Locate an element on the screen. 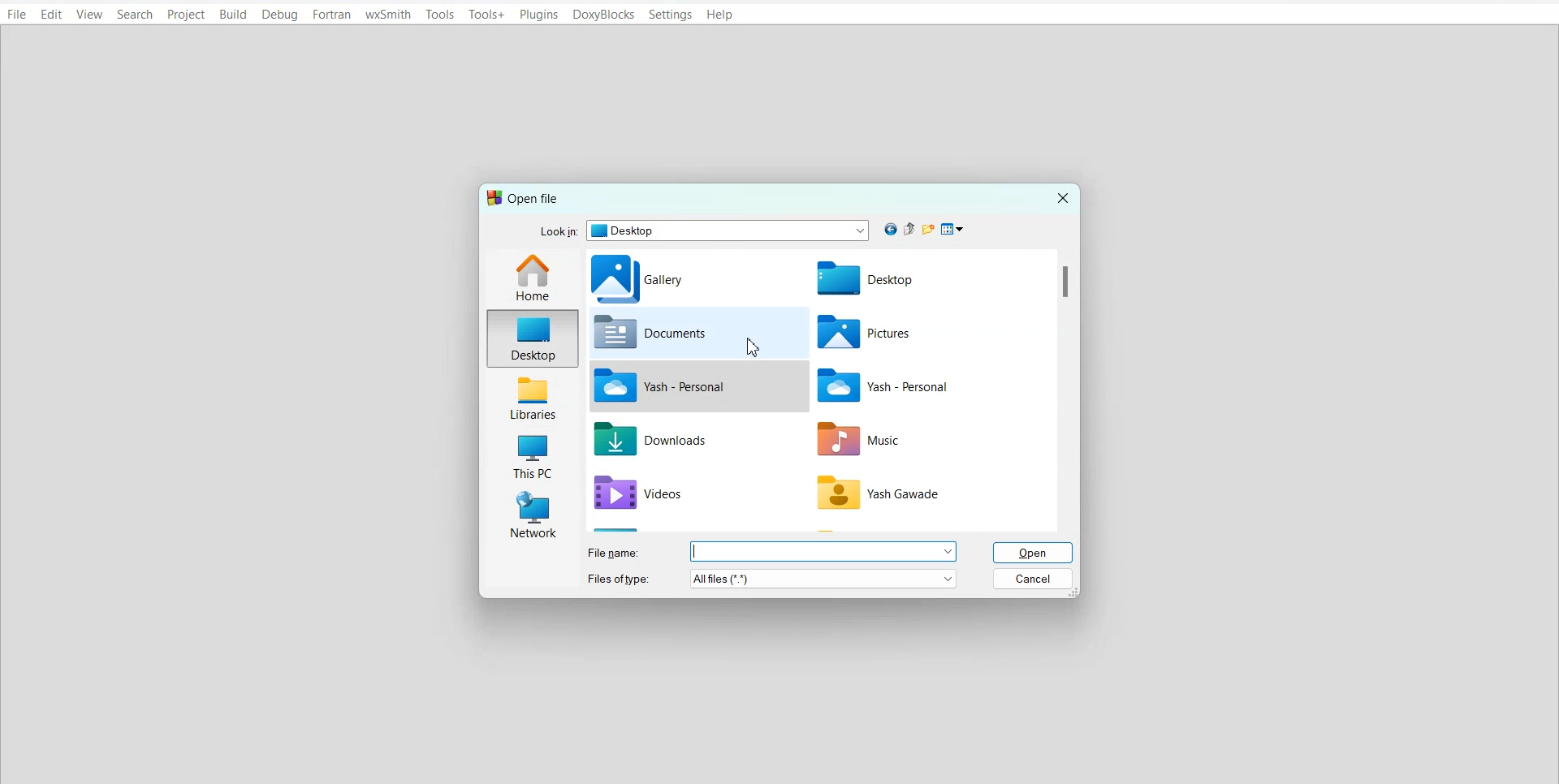 This screenshot has height=784, width=1559. Gallery is located at coordinates (693, 278).